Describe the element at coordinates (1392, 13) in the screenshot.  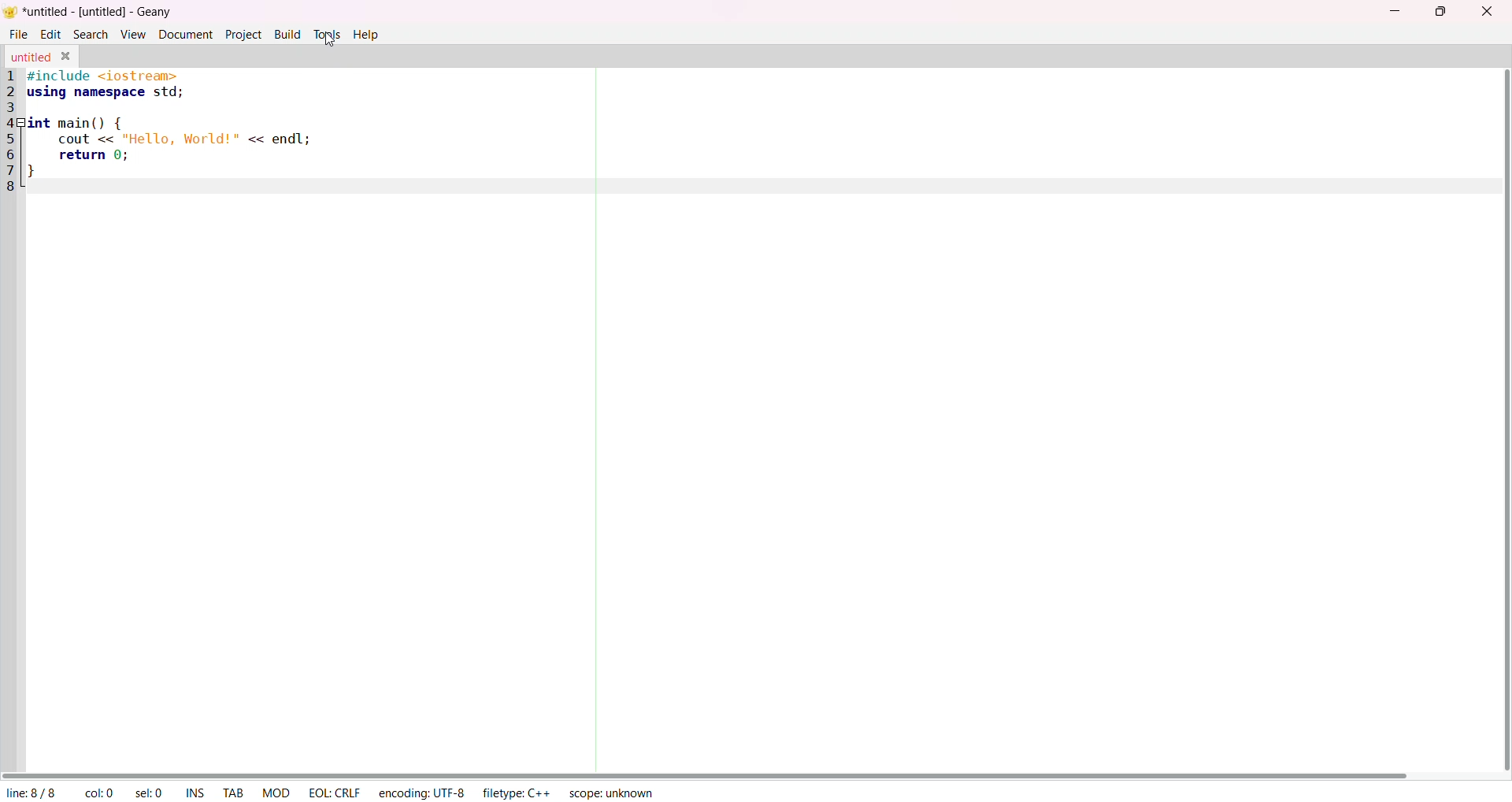
I see `minimize` at that location.